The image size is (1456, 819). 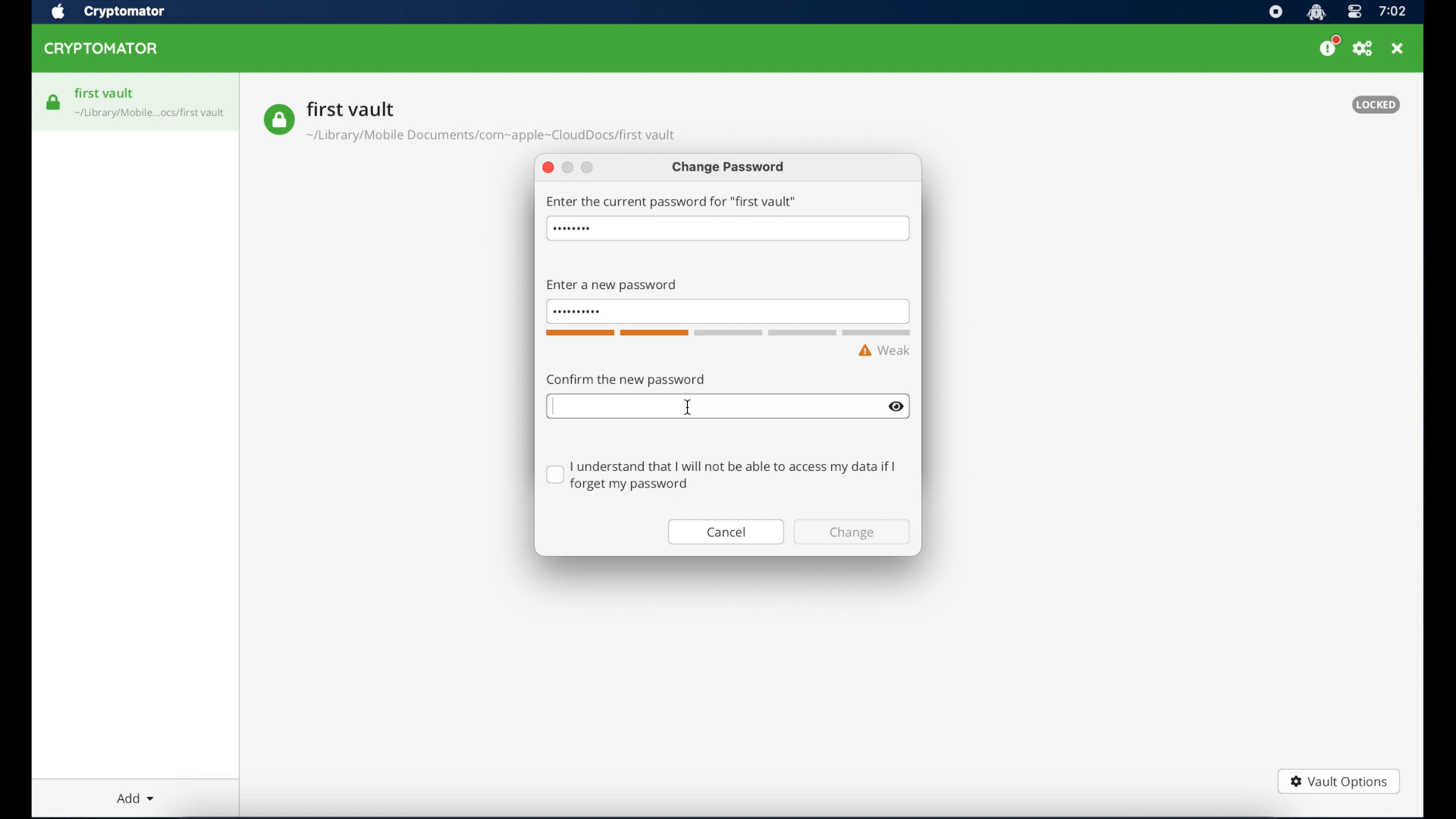 I want to click on invisible password, so click(x=574, y=312).